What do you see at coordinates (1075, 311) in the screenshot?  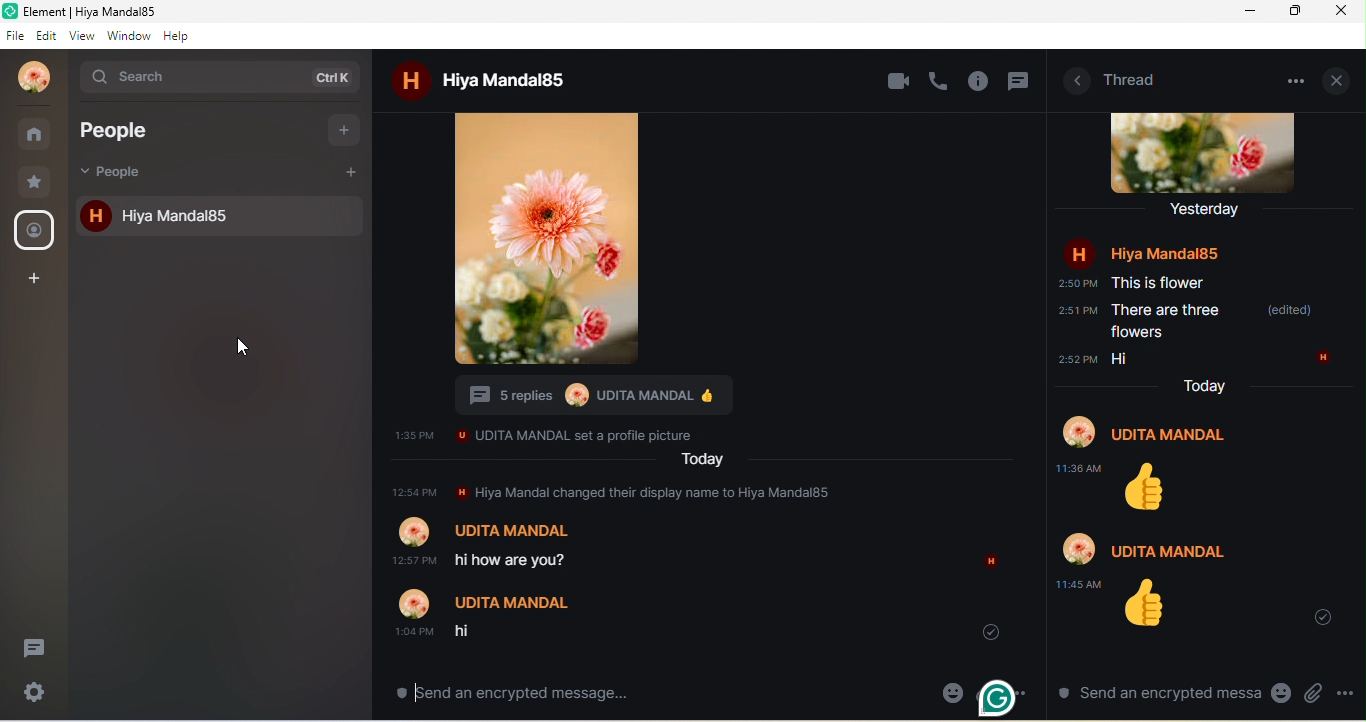 I see `2:51 PM` at bounding box center [1075, 311].